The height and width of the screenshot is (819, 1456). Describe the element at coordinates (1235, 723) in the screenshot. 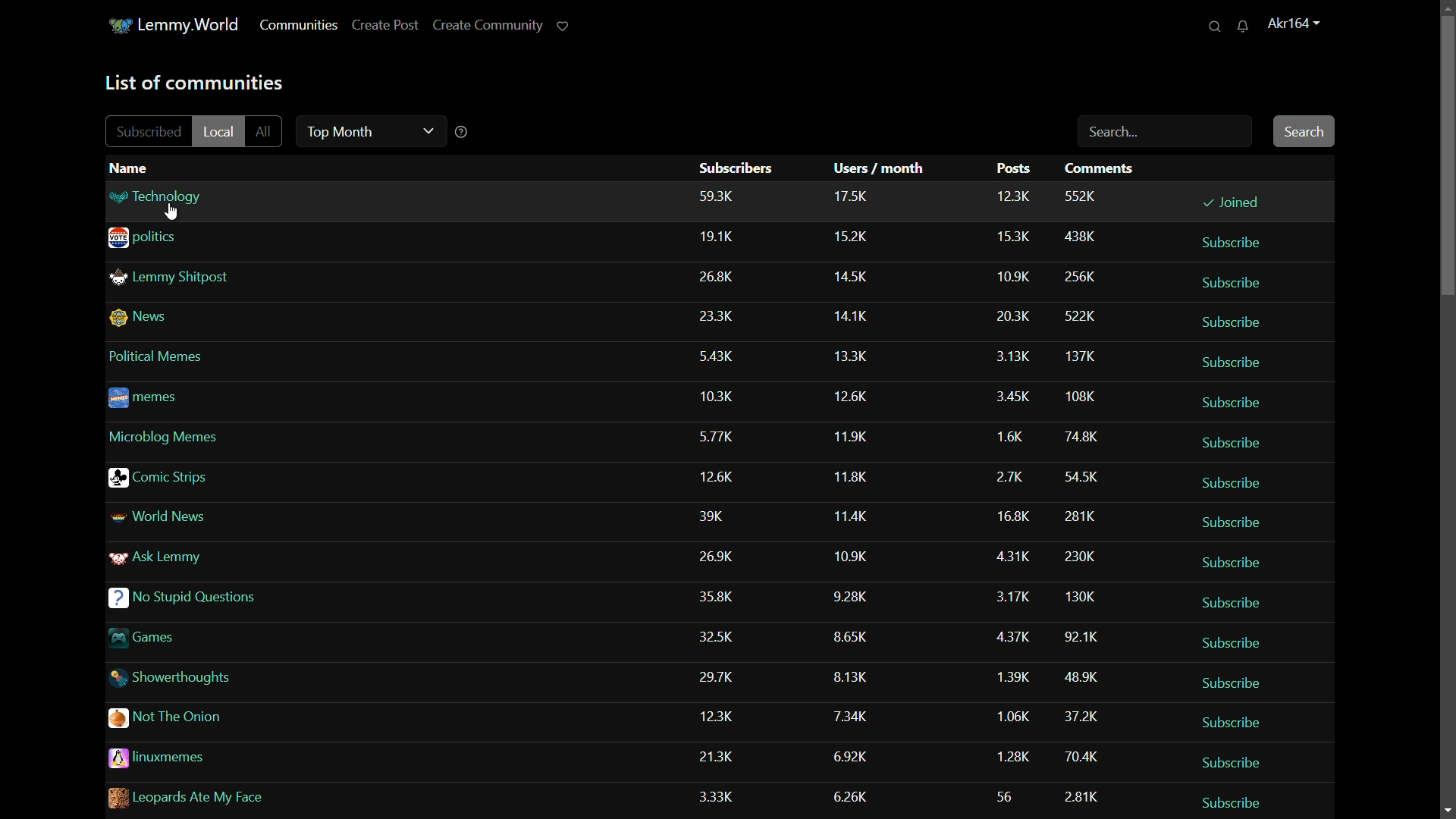

I see `subscribe/unsubscribe` at that location.